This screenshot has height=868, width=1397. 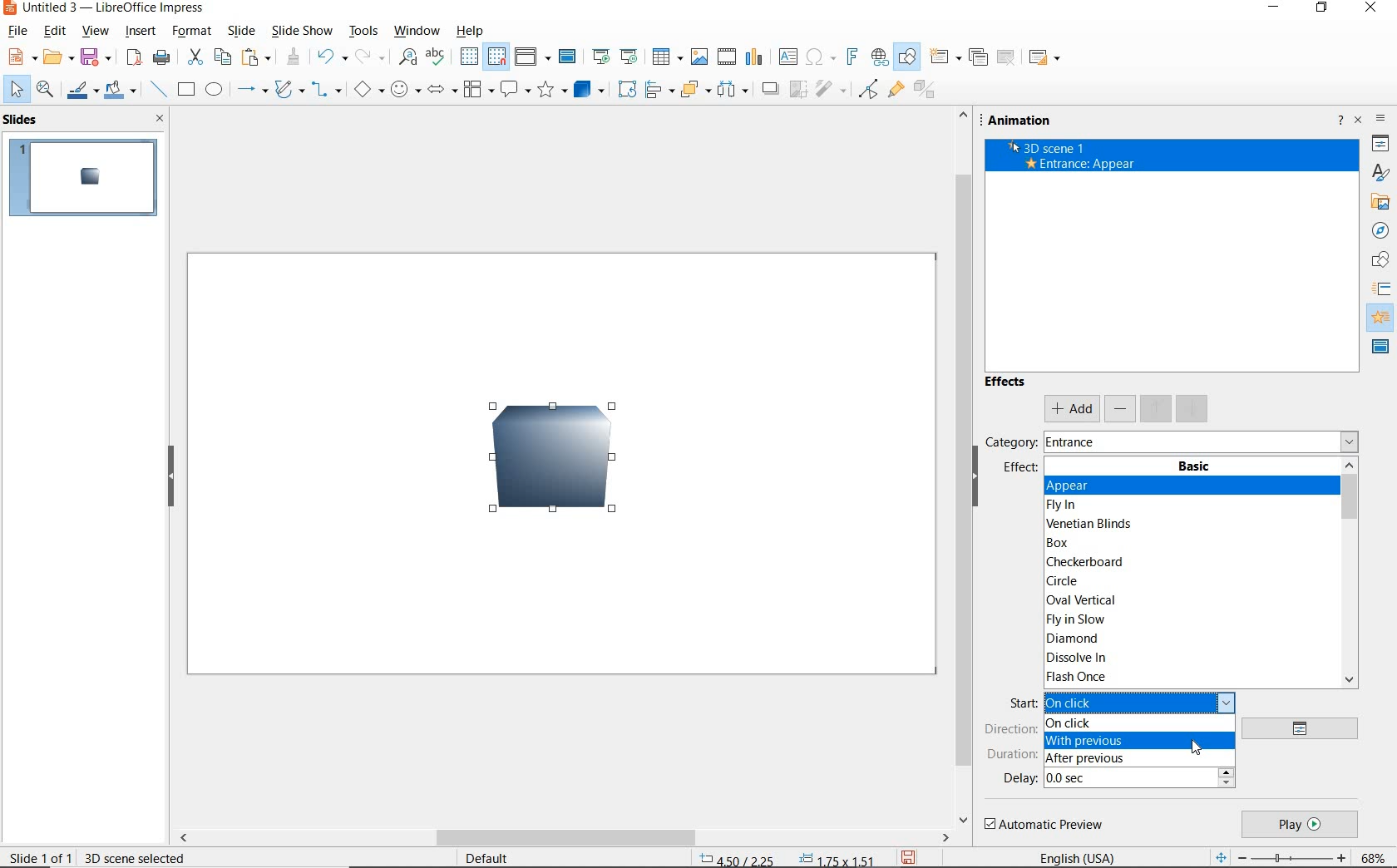 What do you see at coordinates (363, 31) in the screenshot?
I see `tools` at bounding box center [363, 31].